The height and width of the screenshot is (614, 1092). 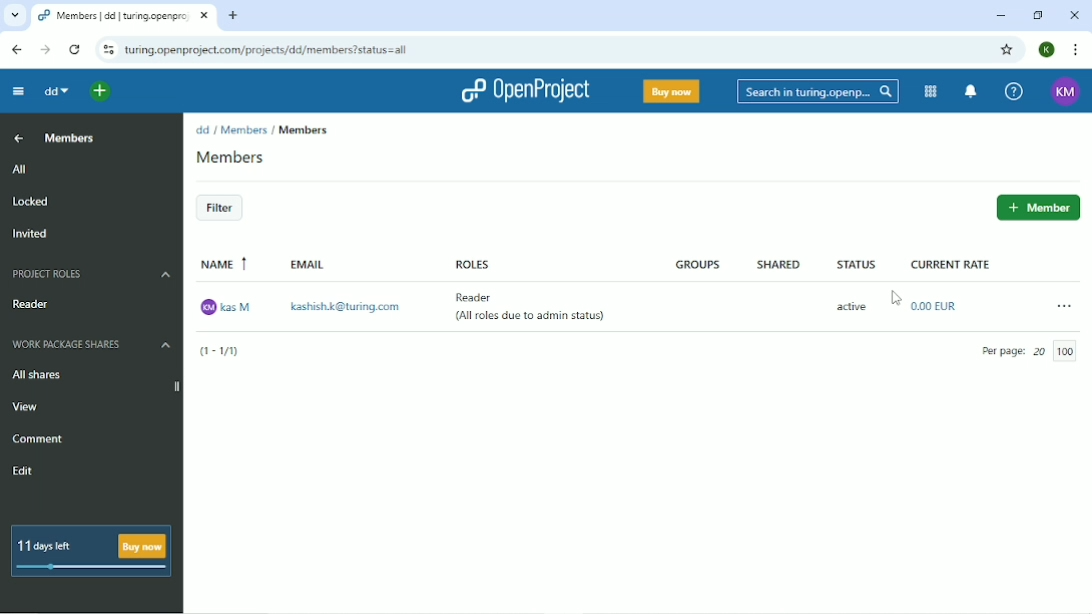 I want to click on Per page 20/100, so click(x=1036, y=350).